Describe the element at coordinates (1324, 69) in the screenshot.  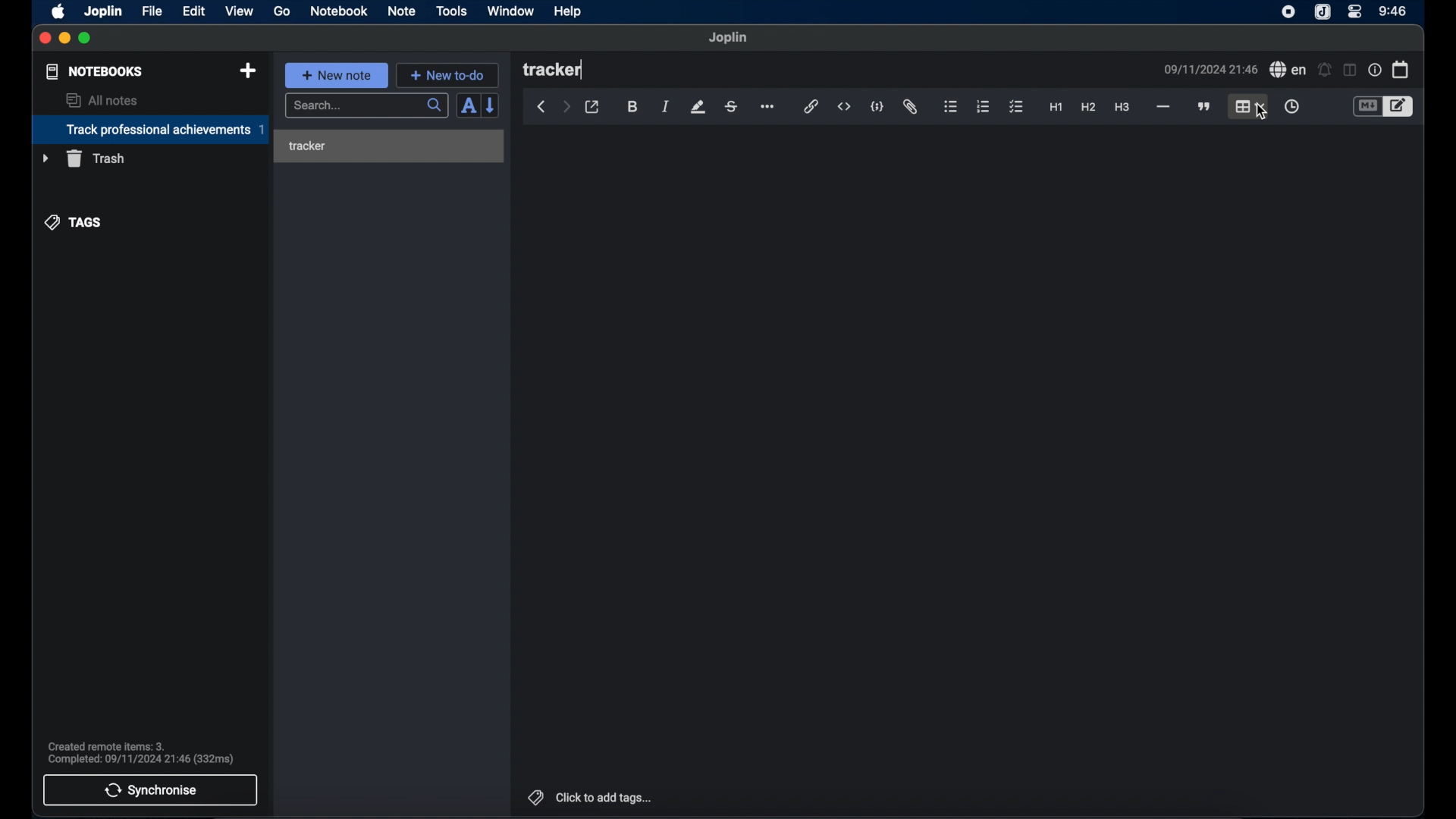
I see `set alarm` at that location.